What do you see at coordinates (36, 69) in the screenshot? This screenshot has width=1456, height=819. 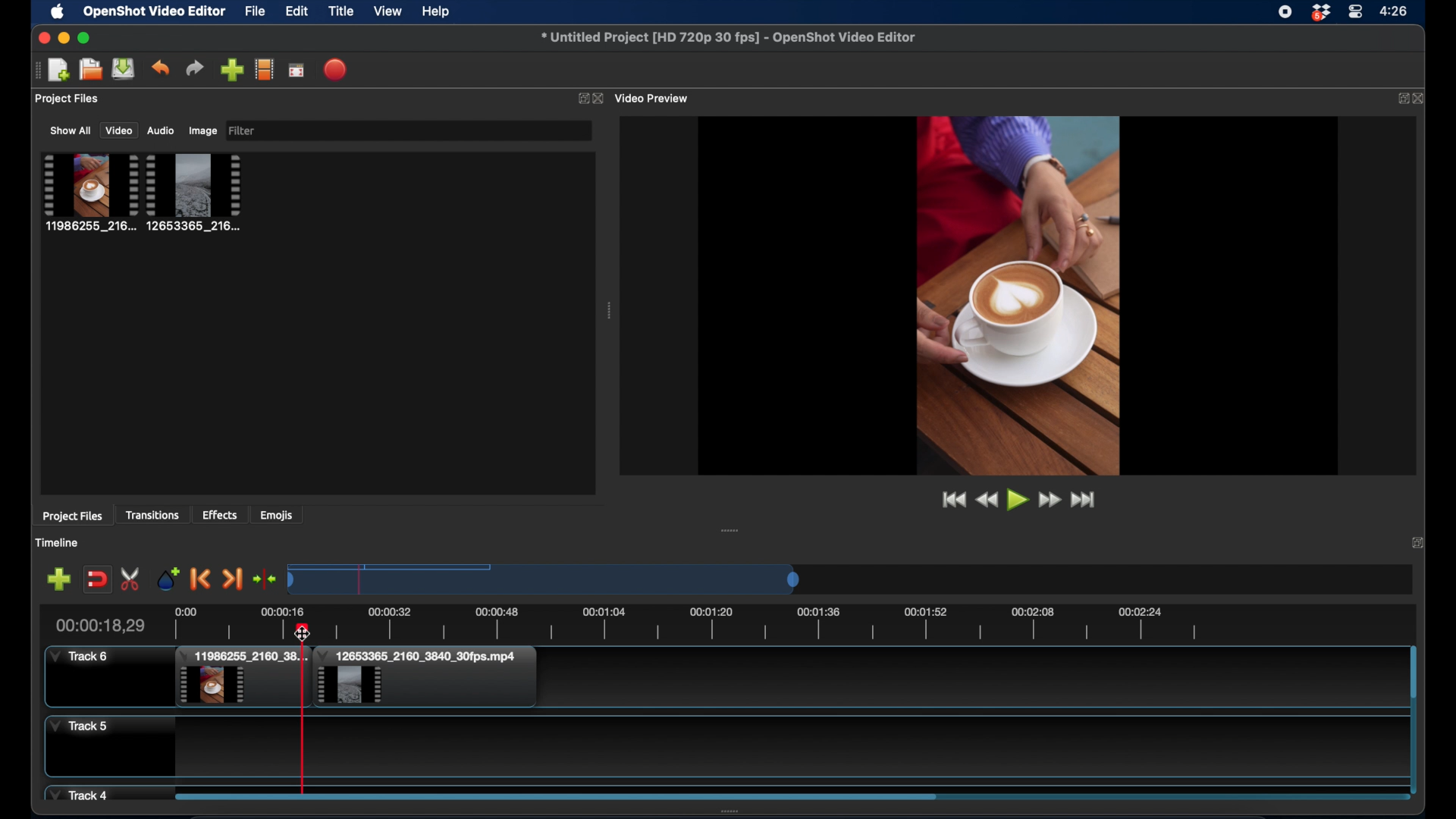 I see `drag handle` at bounding box center [36, 69].